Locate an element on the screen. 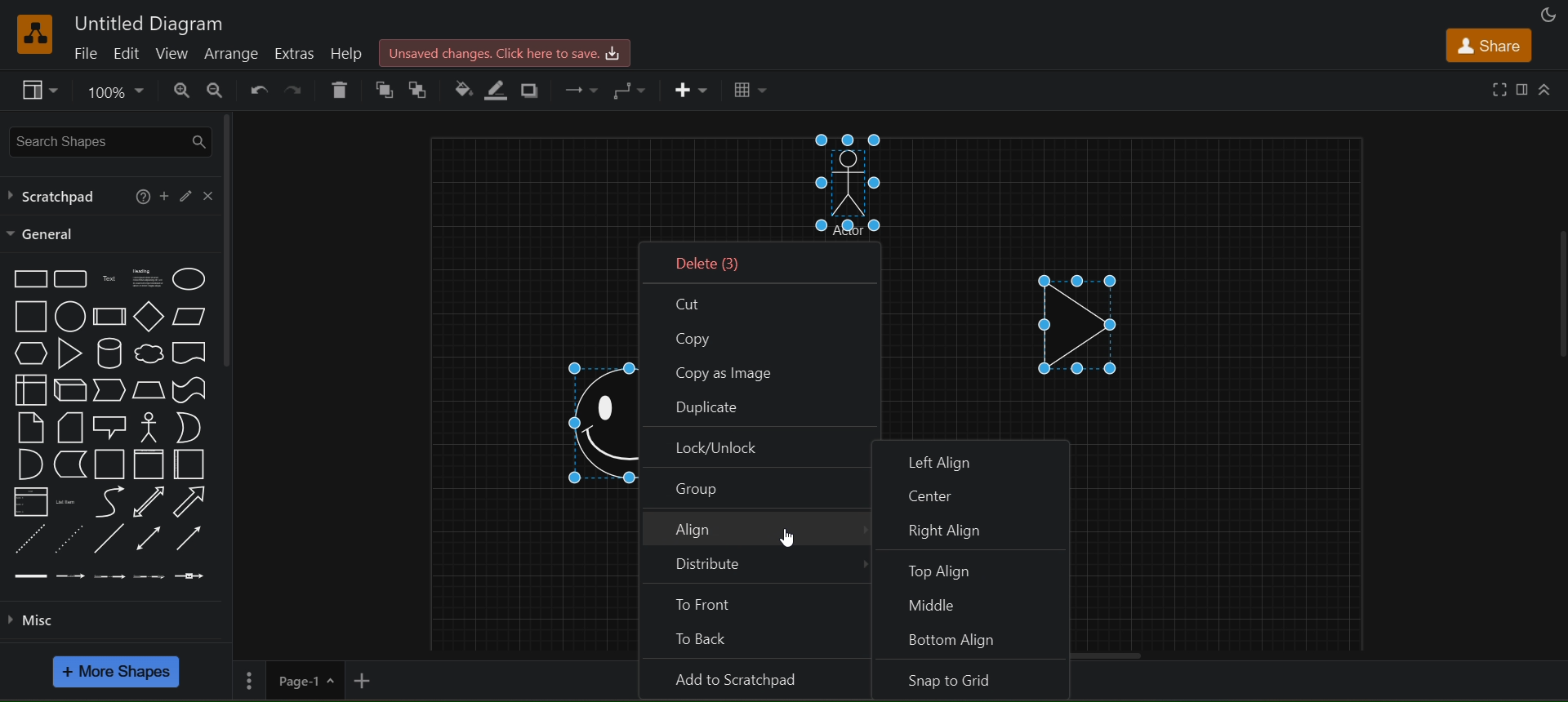 The height and width of the screenshot is (702, 1568). copy as image is located at coordinates (756, 371).